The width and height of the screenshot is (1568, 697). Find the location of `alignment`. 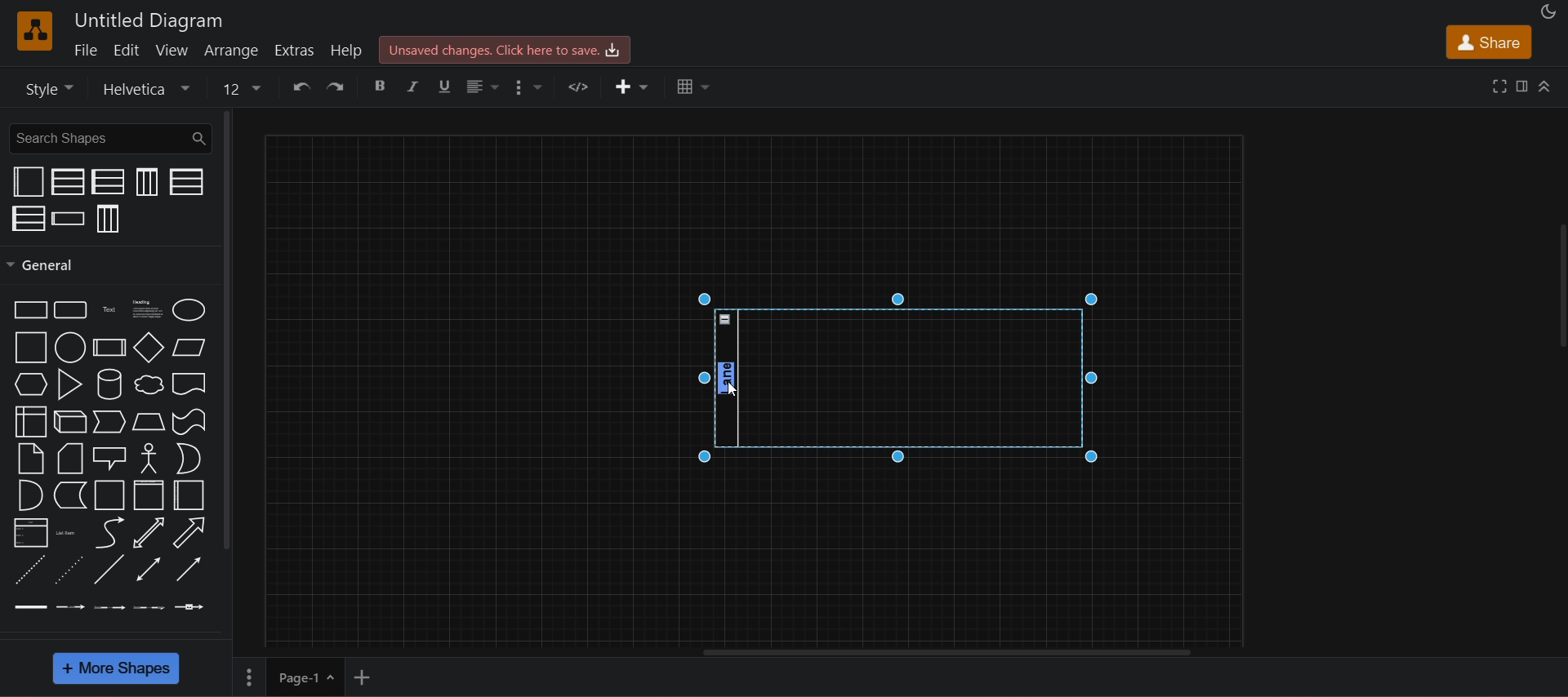

alignment is located at coordinates (479, 88).